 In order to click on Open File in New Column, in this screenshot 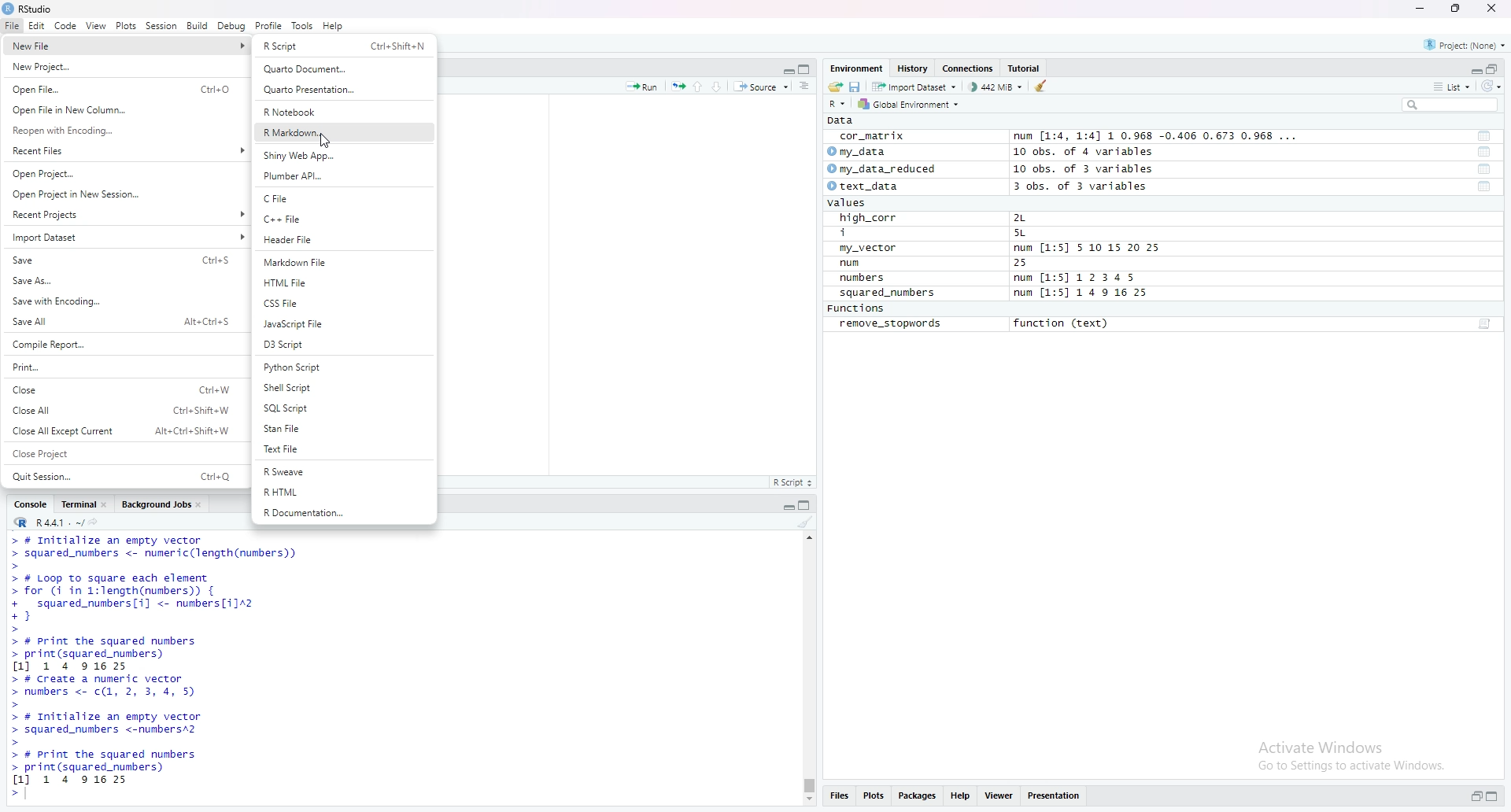, I will do `click(120, 109)`.